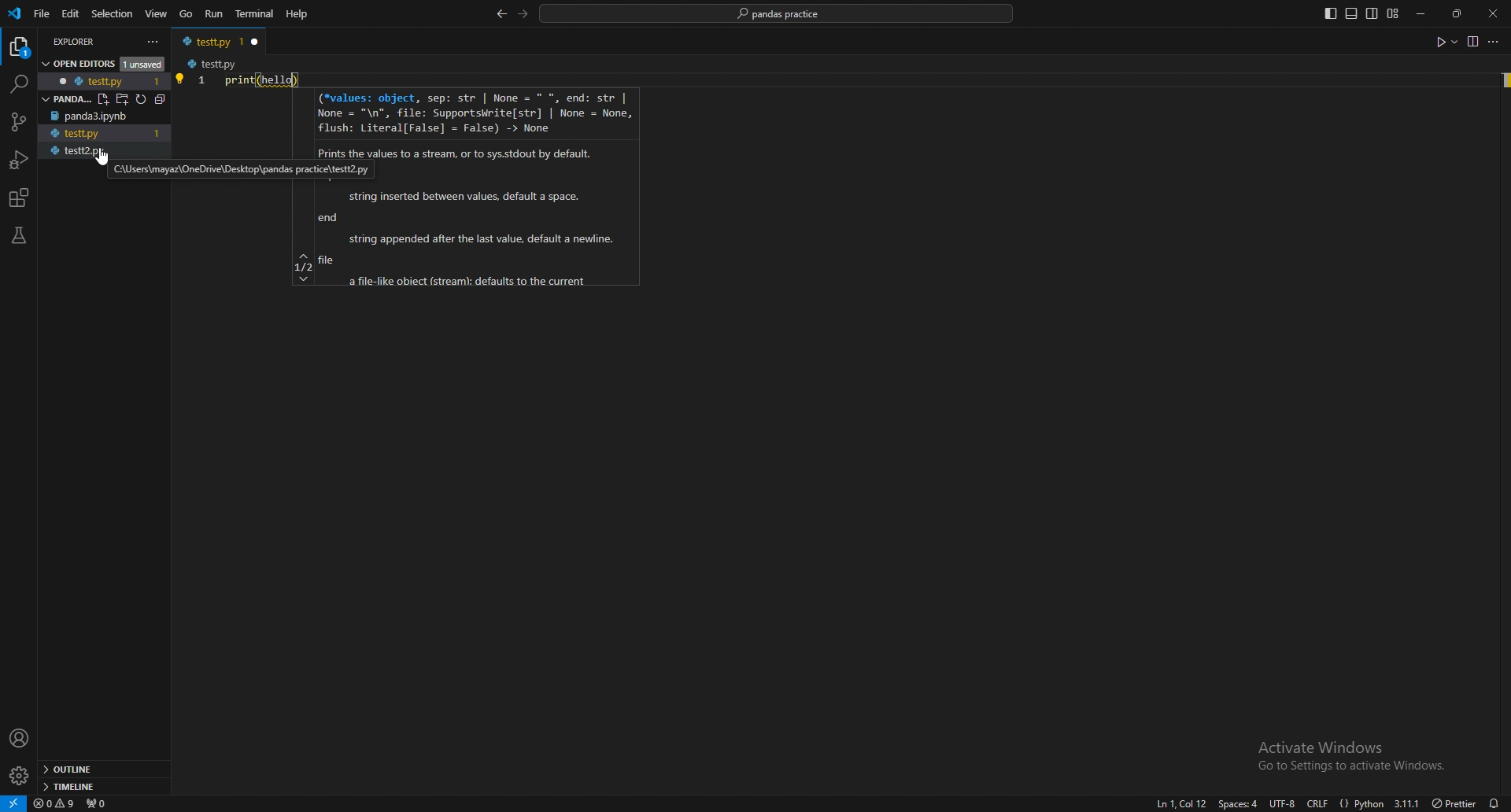  Describe the element at coordinates (1425, 14) in the screenshot. I see `minimize` at that location.